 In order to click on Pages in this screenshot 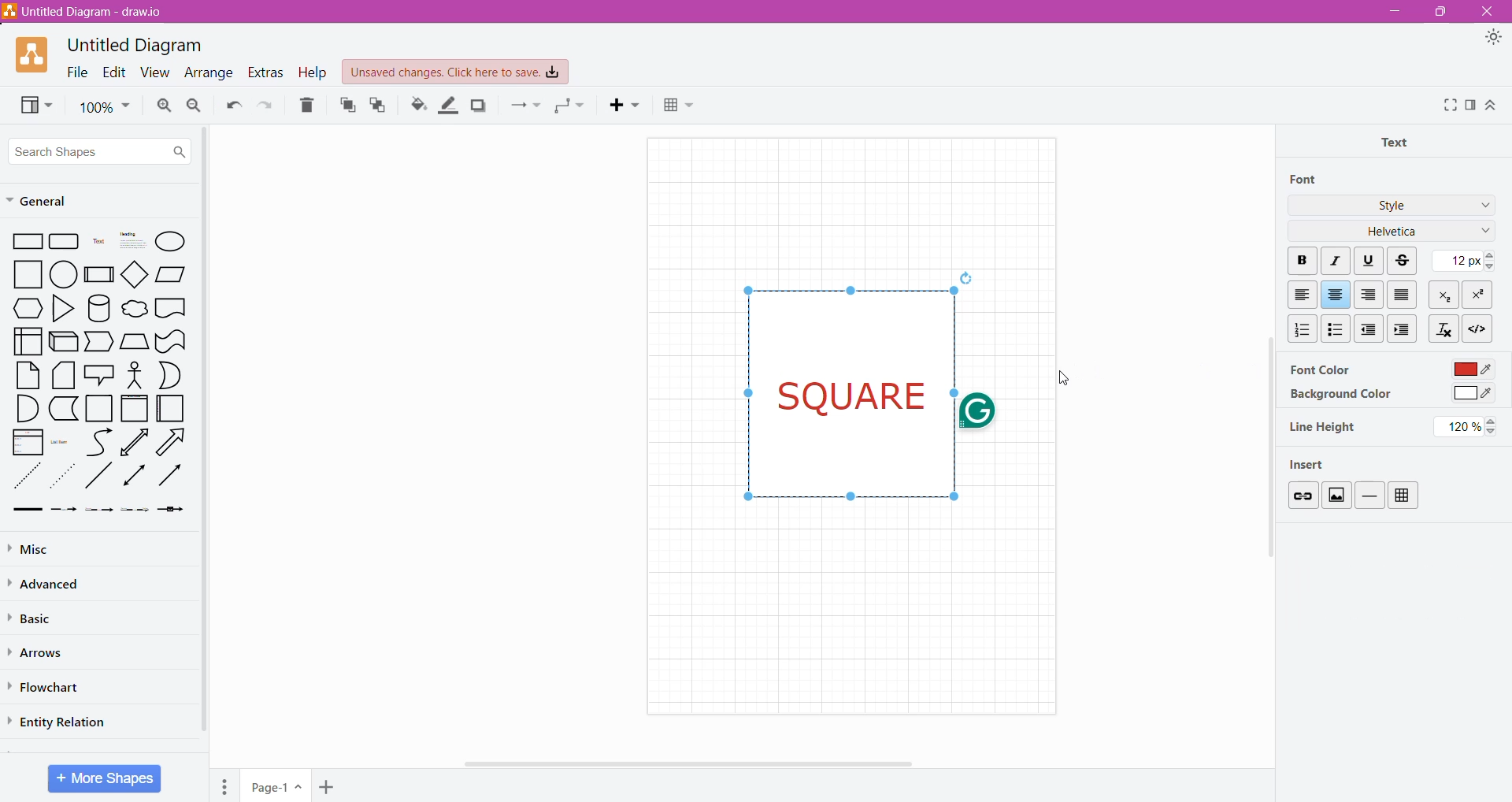, I will do `click(225, 786)`.